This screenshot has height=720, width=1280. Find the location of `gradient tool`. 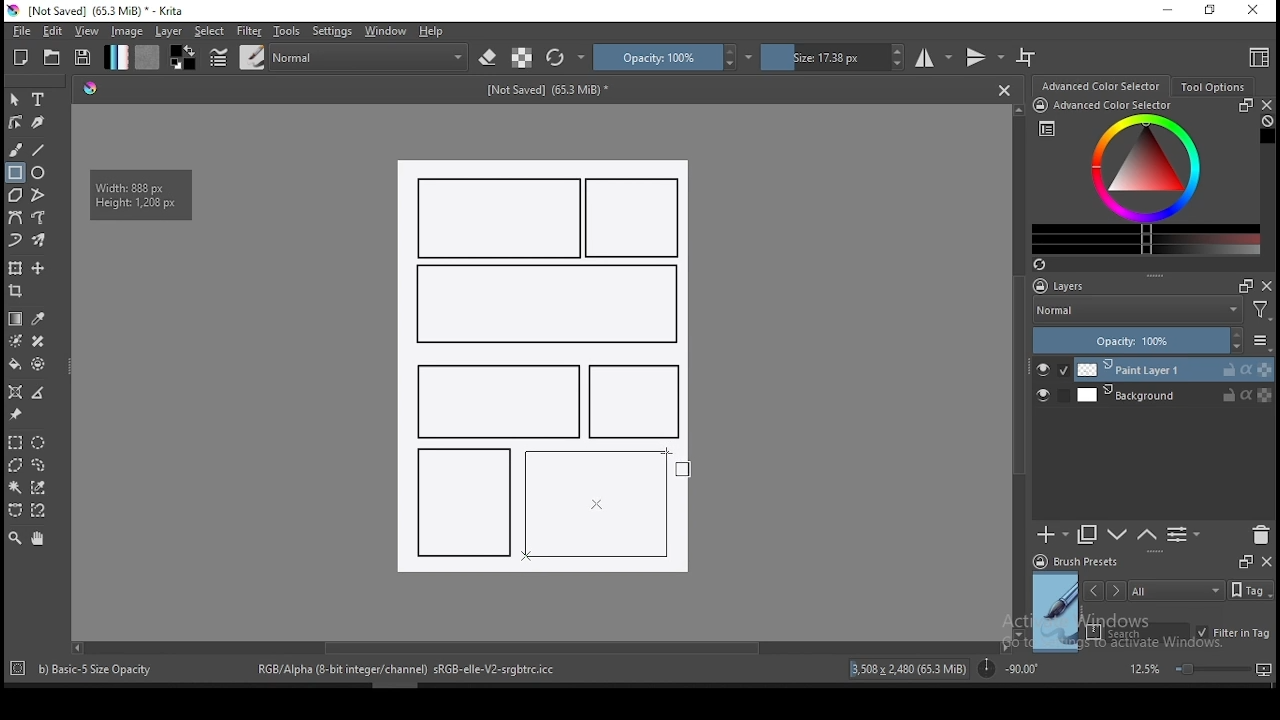

gradient tool is located at coordinates (16, 319).